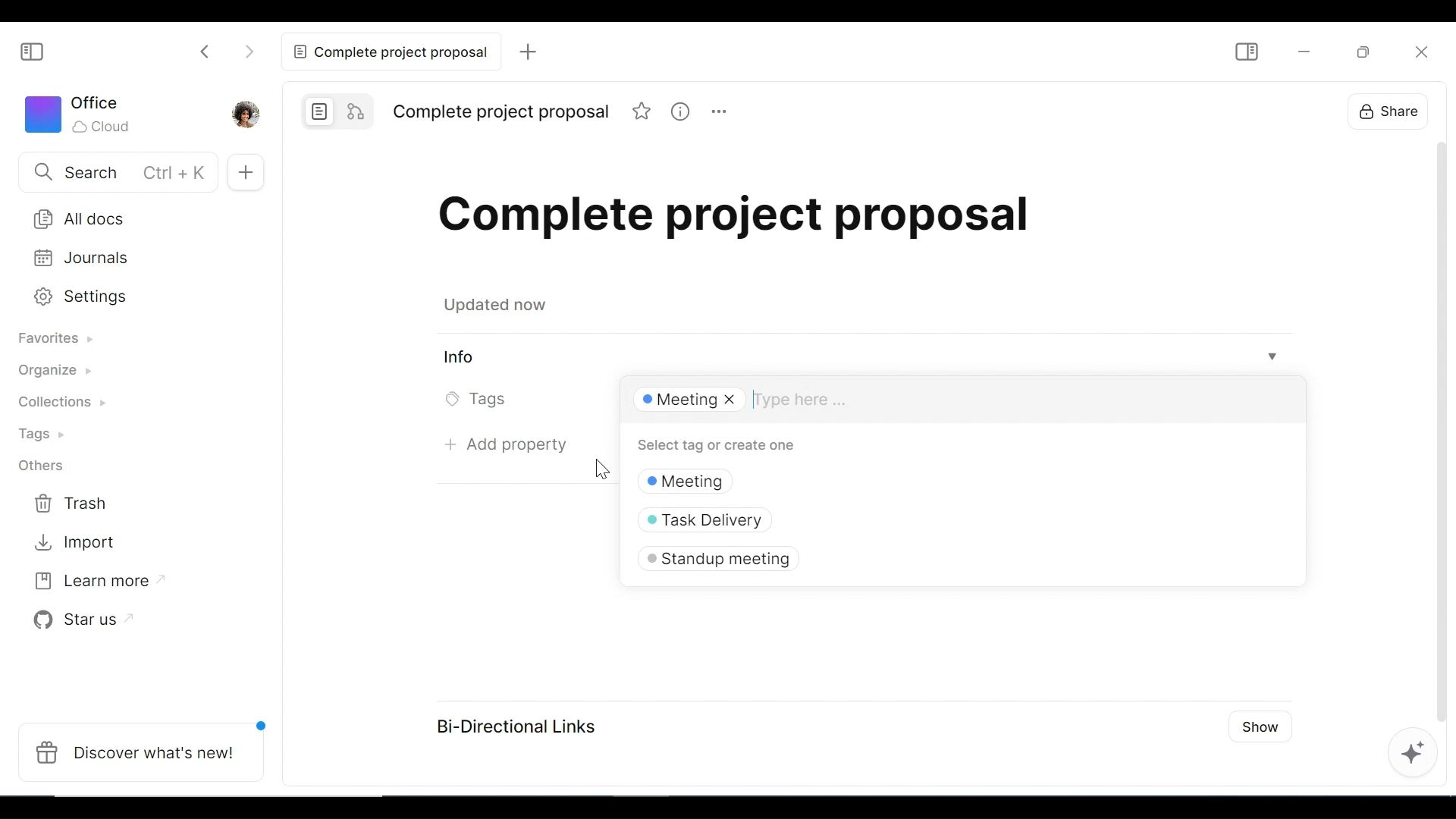 The image size is (1456, 819). Describe the element at coordinates (1421, 49) in the screenshot. I see `Close` at that location.